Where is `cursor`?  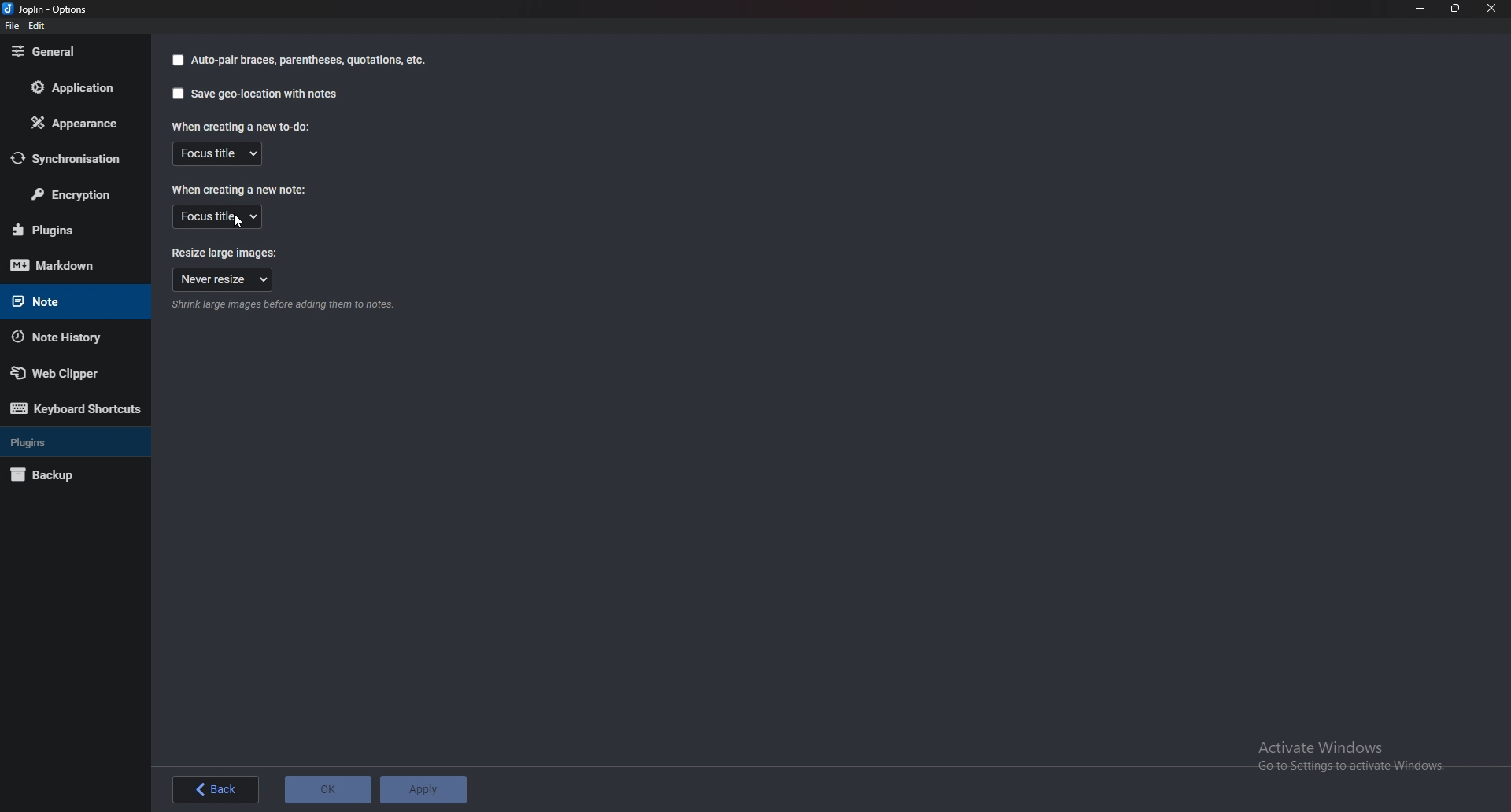
cursor is located at coordinates (239, 223).